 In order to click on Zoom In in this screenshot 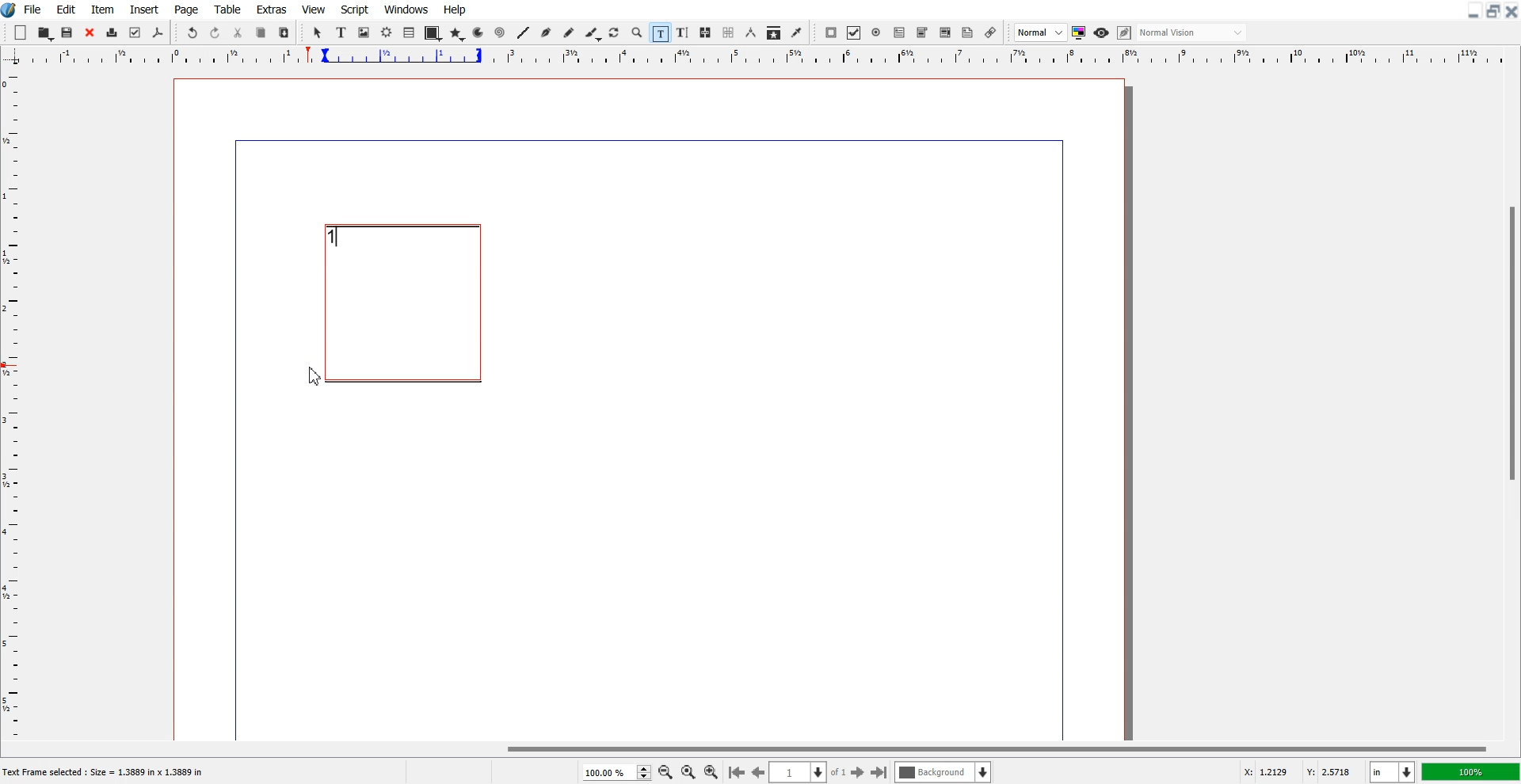, I will do `click(711, 771)`.